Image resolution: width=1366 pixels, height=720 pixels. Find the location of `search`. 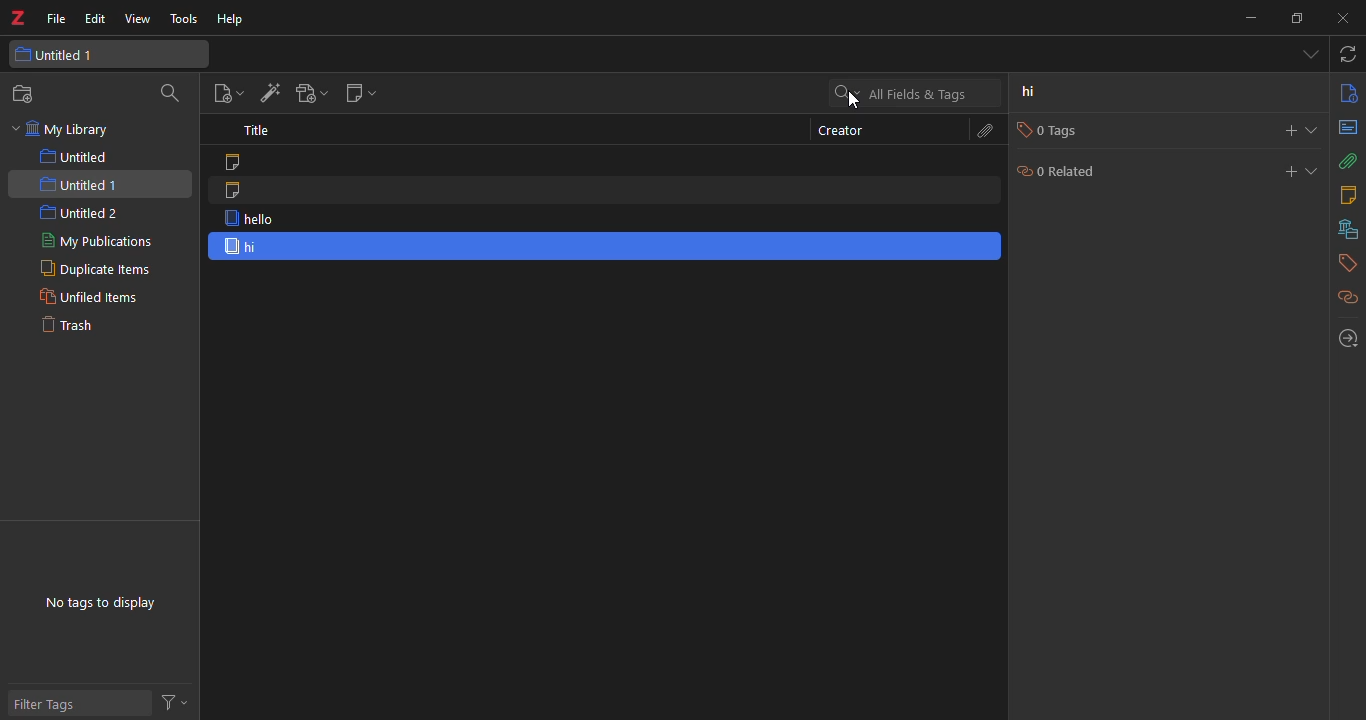

search is located at coordinates (171, 95).